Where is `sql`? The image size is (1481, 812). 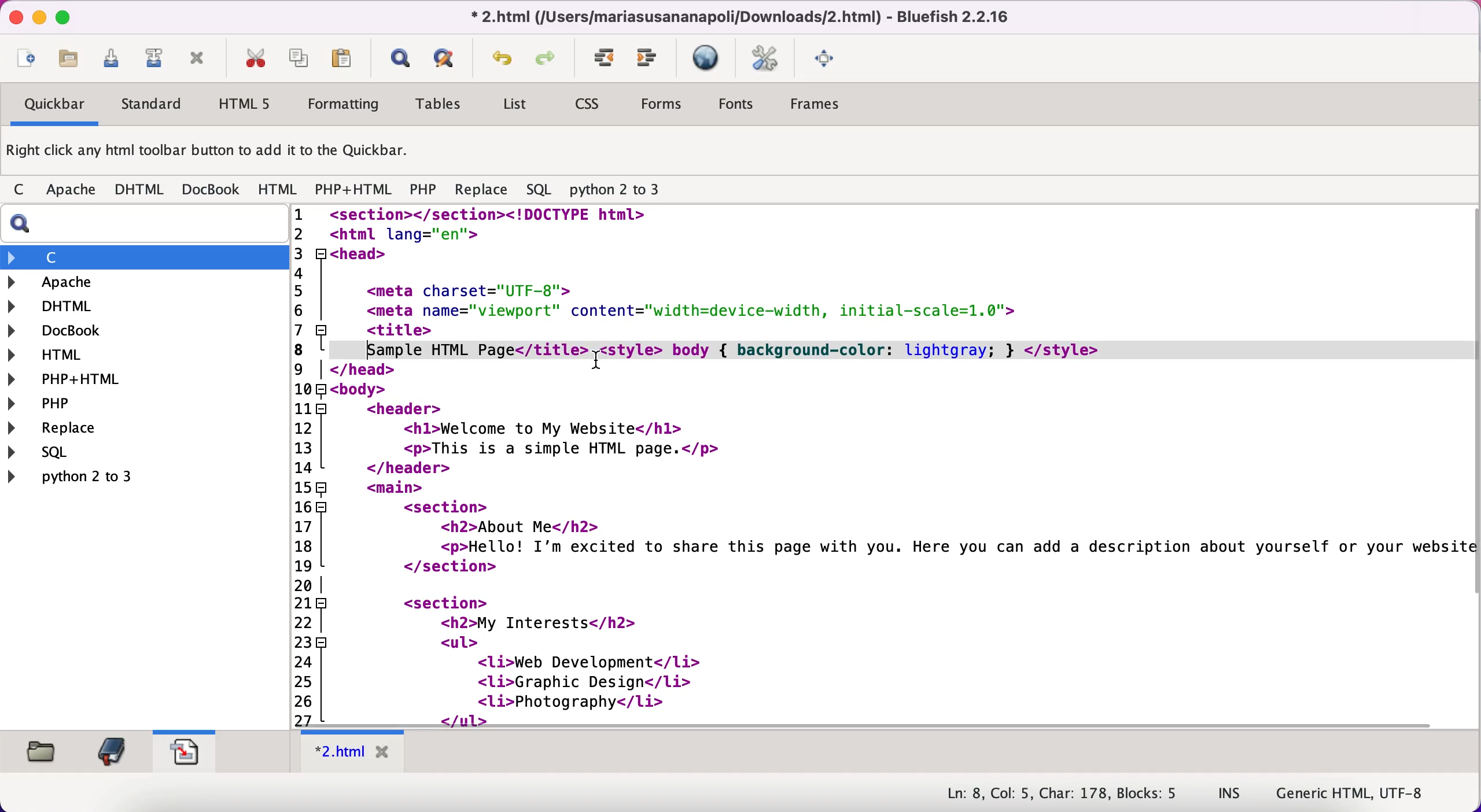 sql is located at coordinates (91, 452).